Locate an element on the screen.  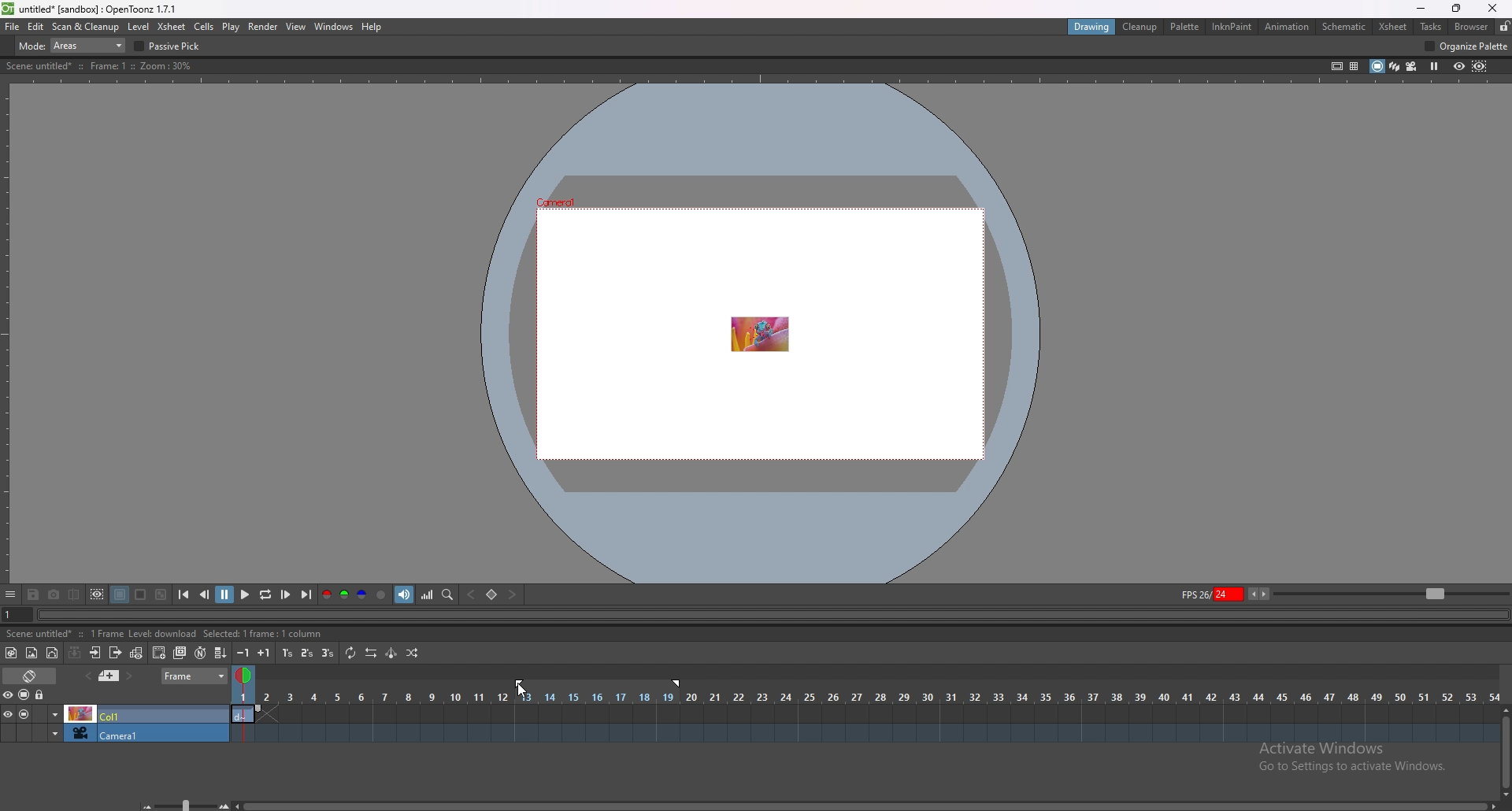
visibility toggle is located at coordinates (12, 695).